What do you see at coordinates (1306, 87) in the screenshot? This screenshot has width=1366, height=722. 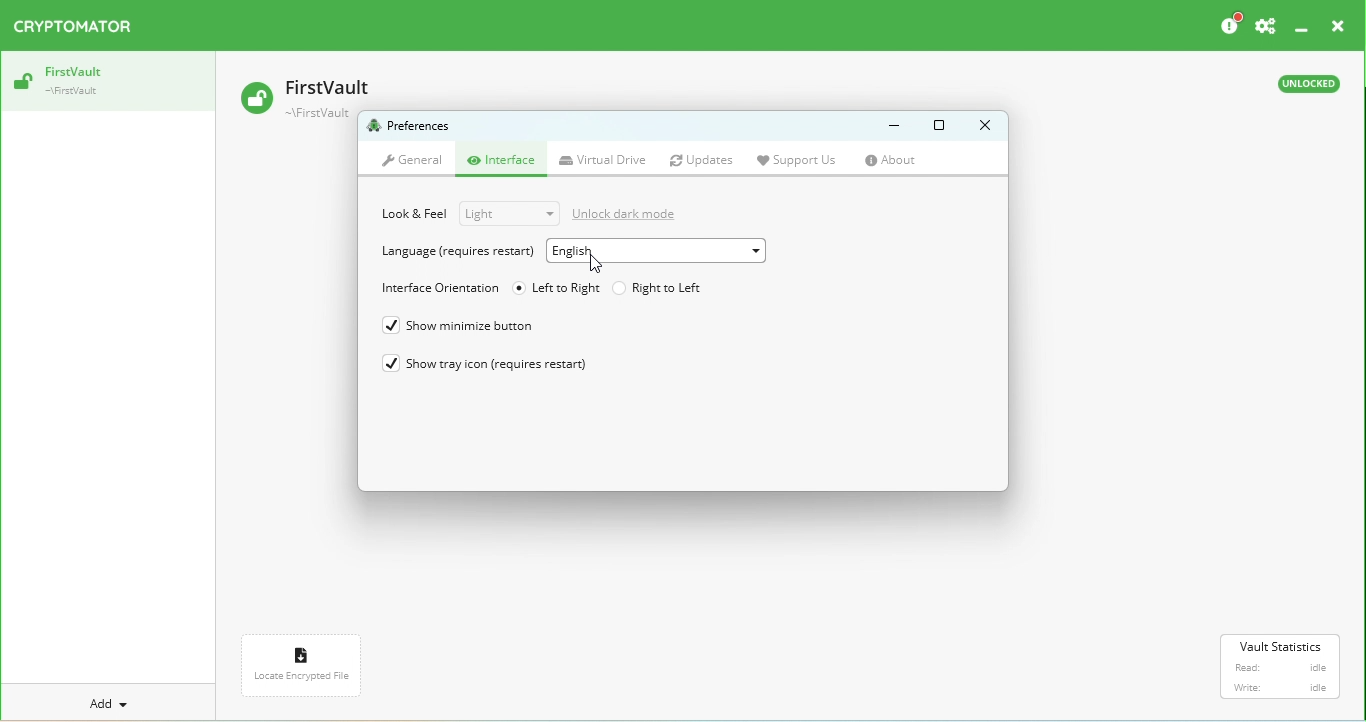 I see `Unlocked` at bounding box center [1306, 87].